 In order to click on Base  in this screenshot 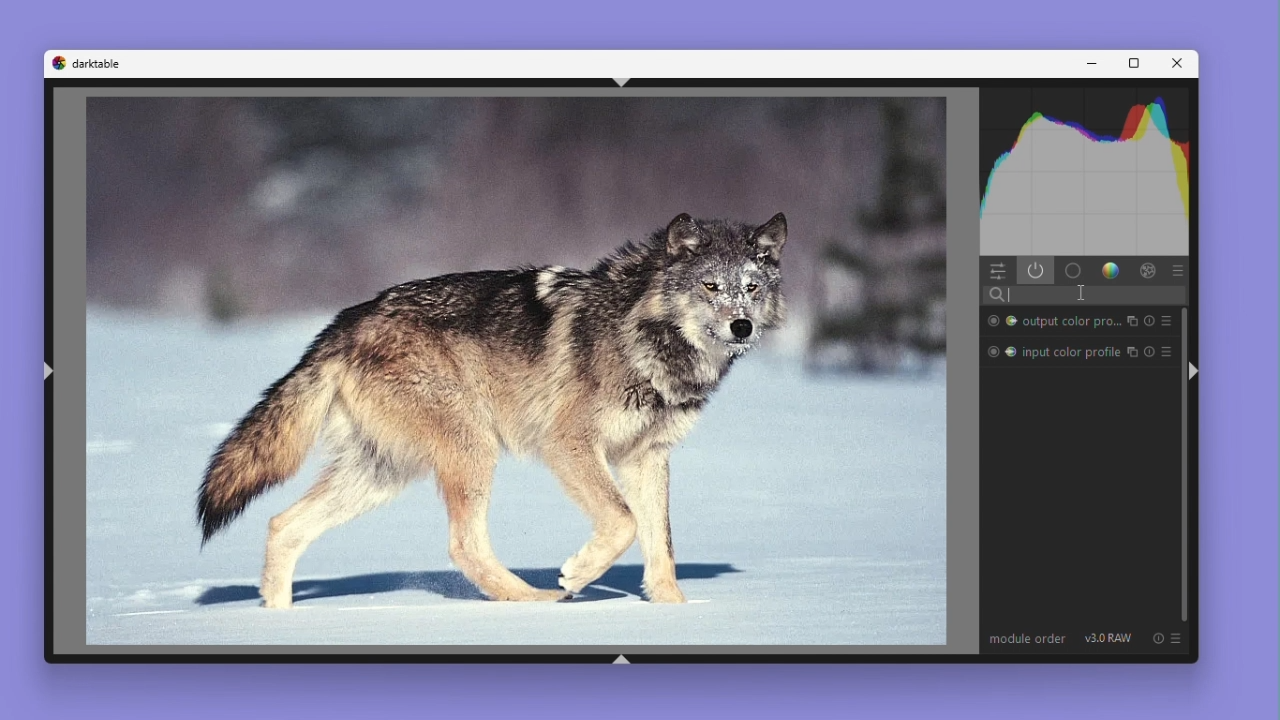, I will do `click(1073, 270)`.